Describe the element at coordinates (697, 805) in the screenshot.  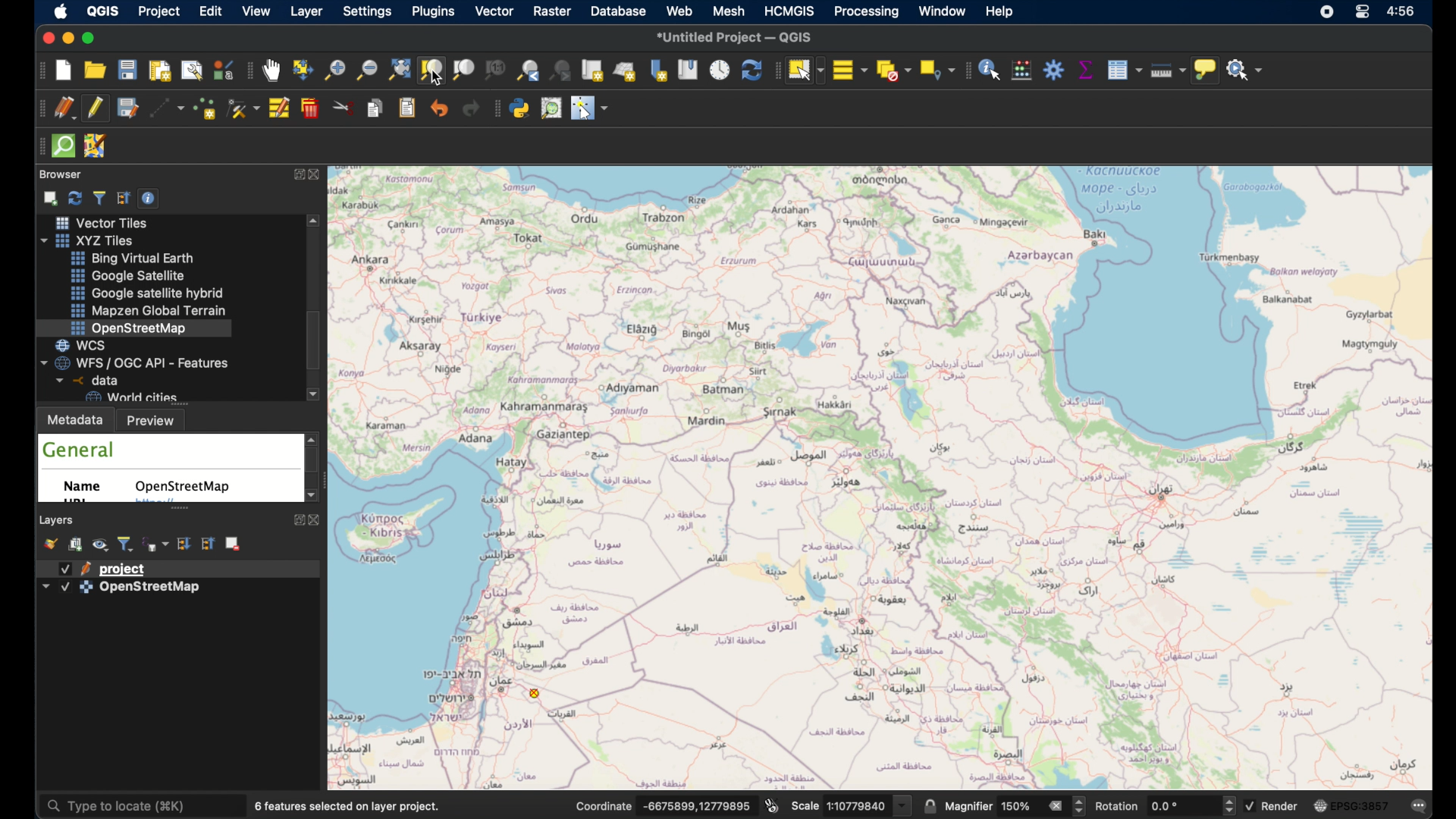
I see `coordinate` at that location.